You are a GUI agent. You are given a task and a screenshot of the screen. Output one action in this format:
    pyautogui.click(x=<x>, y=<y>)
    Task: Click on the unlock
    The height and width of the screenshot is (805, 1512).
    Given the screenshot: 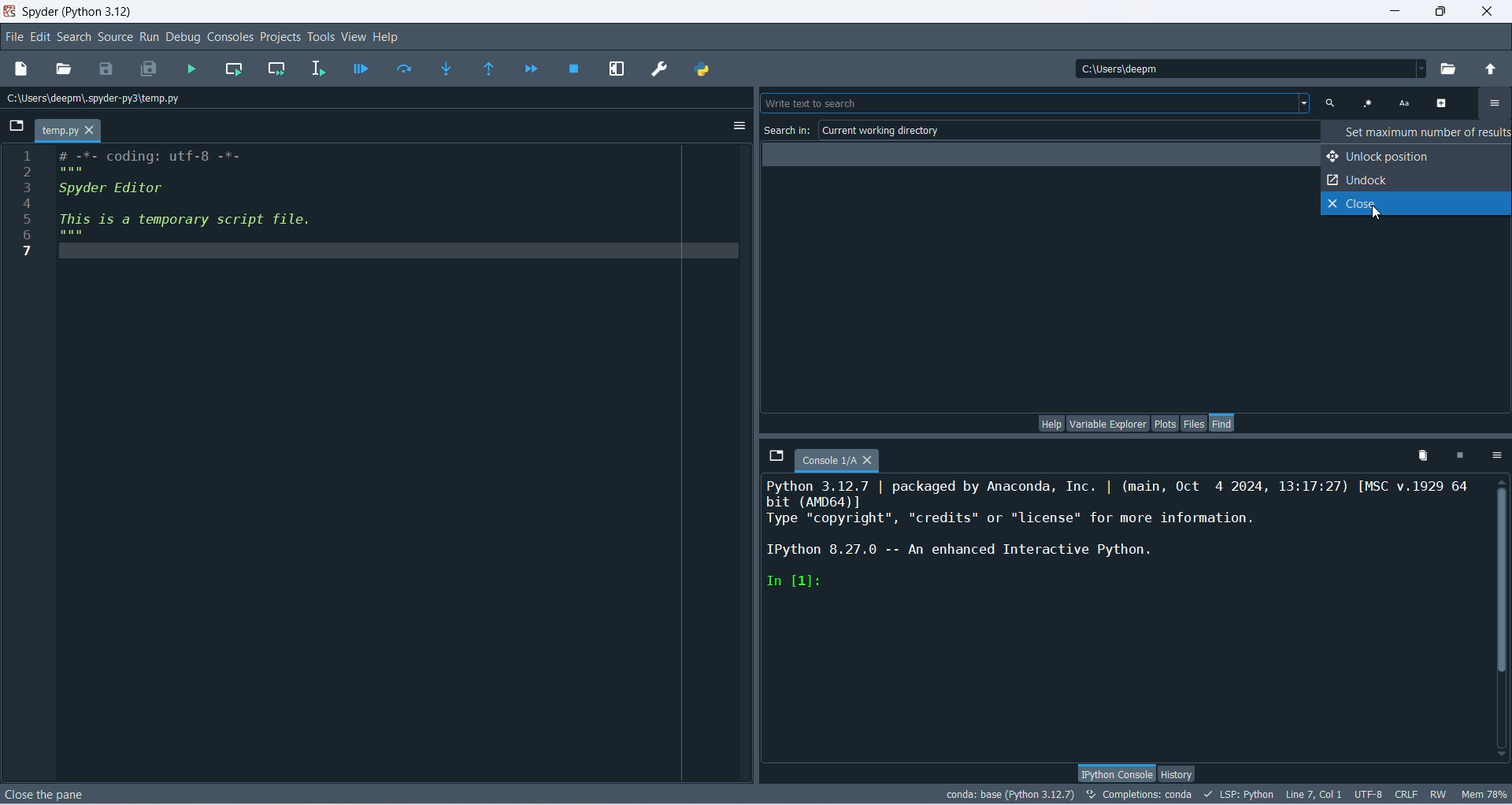 What is the action you would take?
    pyautogui.click(x=1414, y=178)
    